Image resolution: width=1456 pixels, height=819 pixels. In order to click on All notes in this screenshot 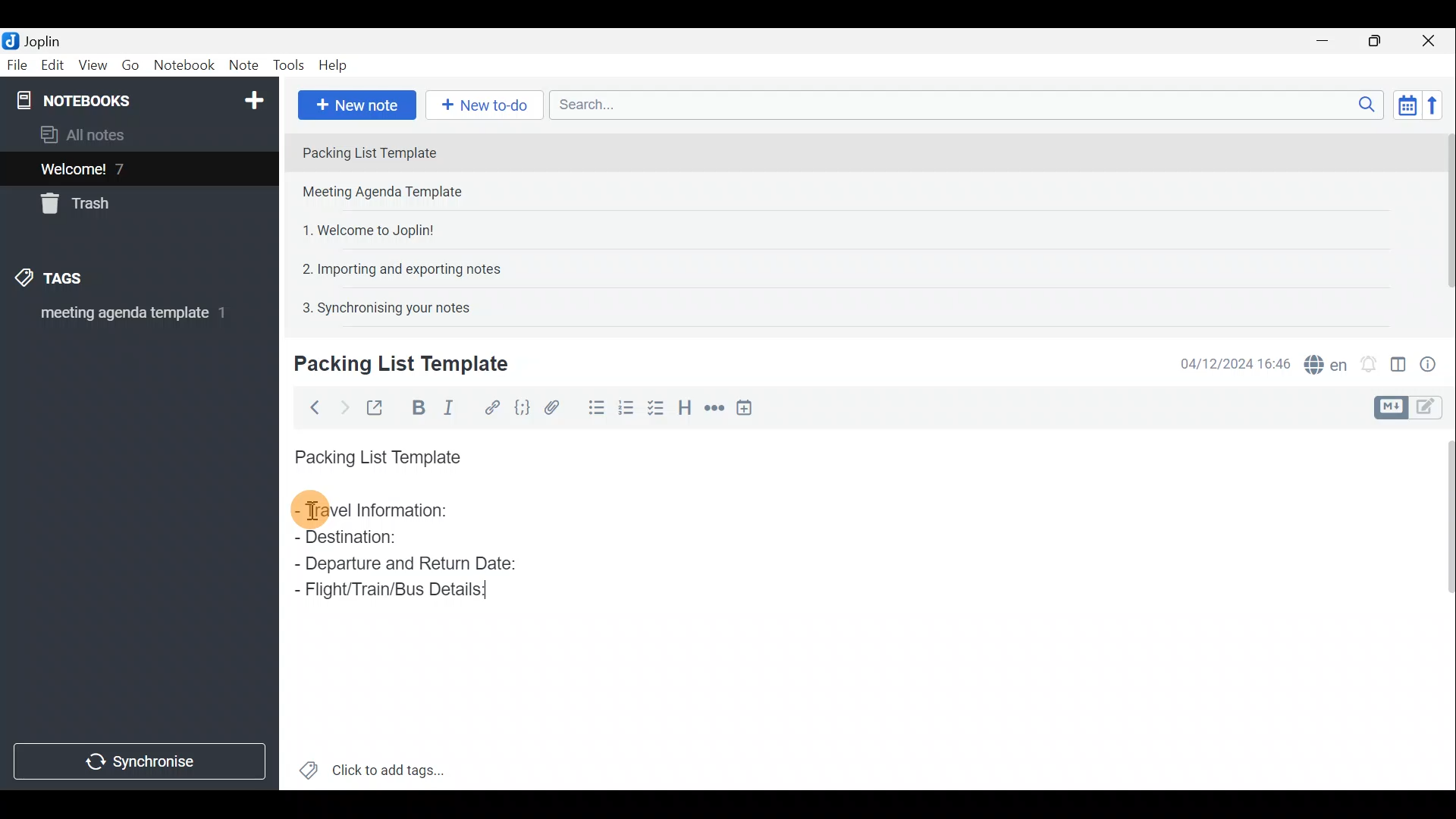, I will do `click(88, 134)`.